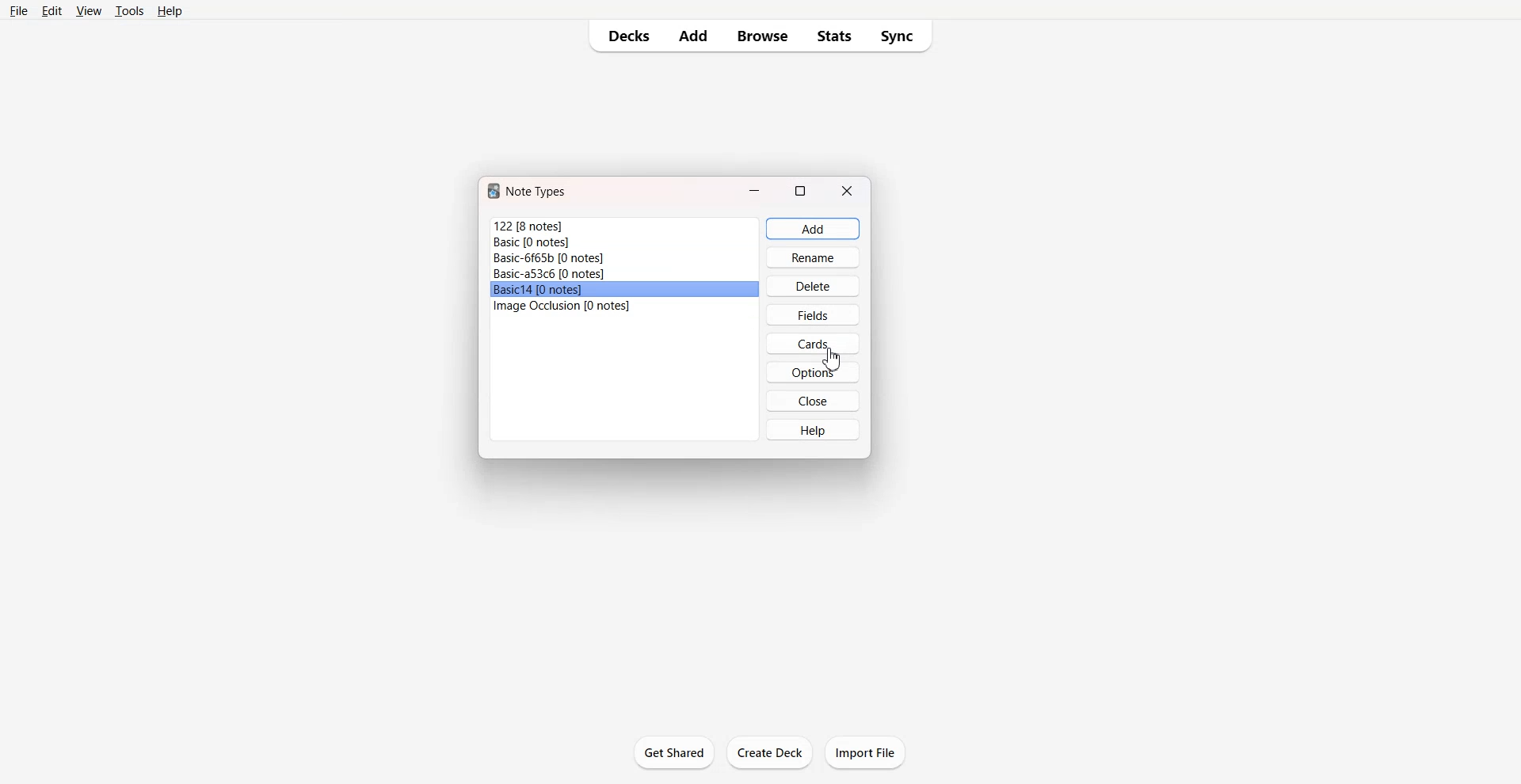 Image resolution: width=1521 pixels, height=784 pixels. What do you see at coordinates (811, 429) in the screenshot?
I see `Help` at bounding box center [811, 429].